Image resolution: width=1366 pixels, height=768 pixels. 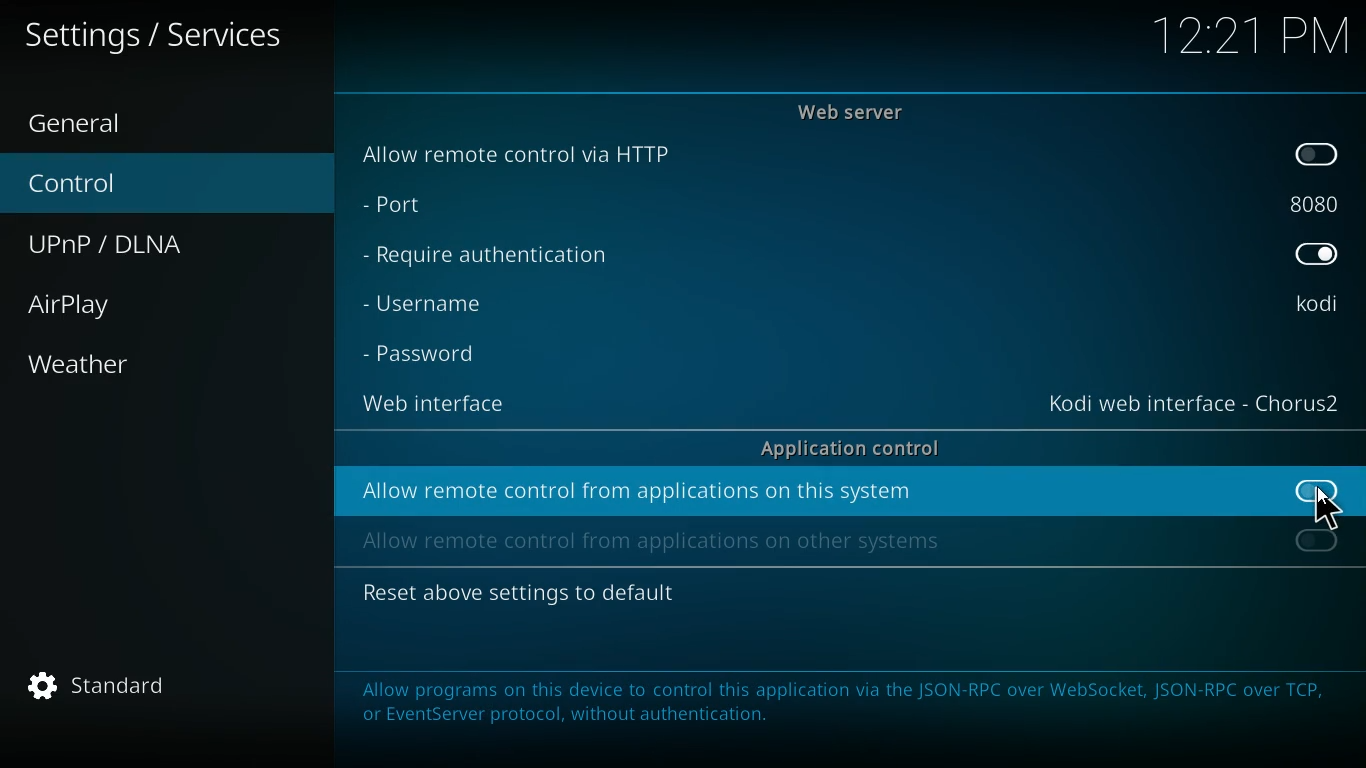 I want to click on text, so click(x=173, y=35).